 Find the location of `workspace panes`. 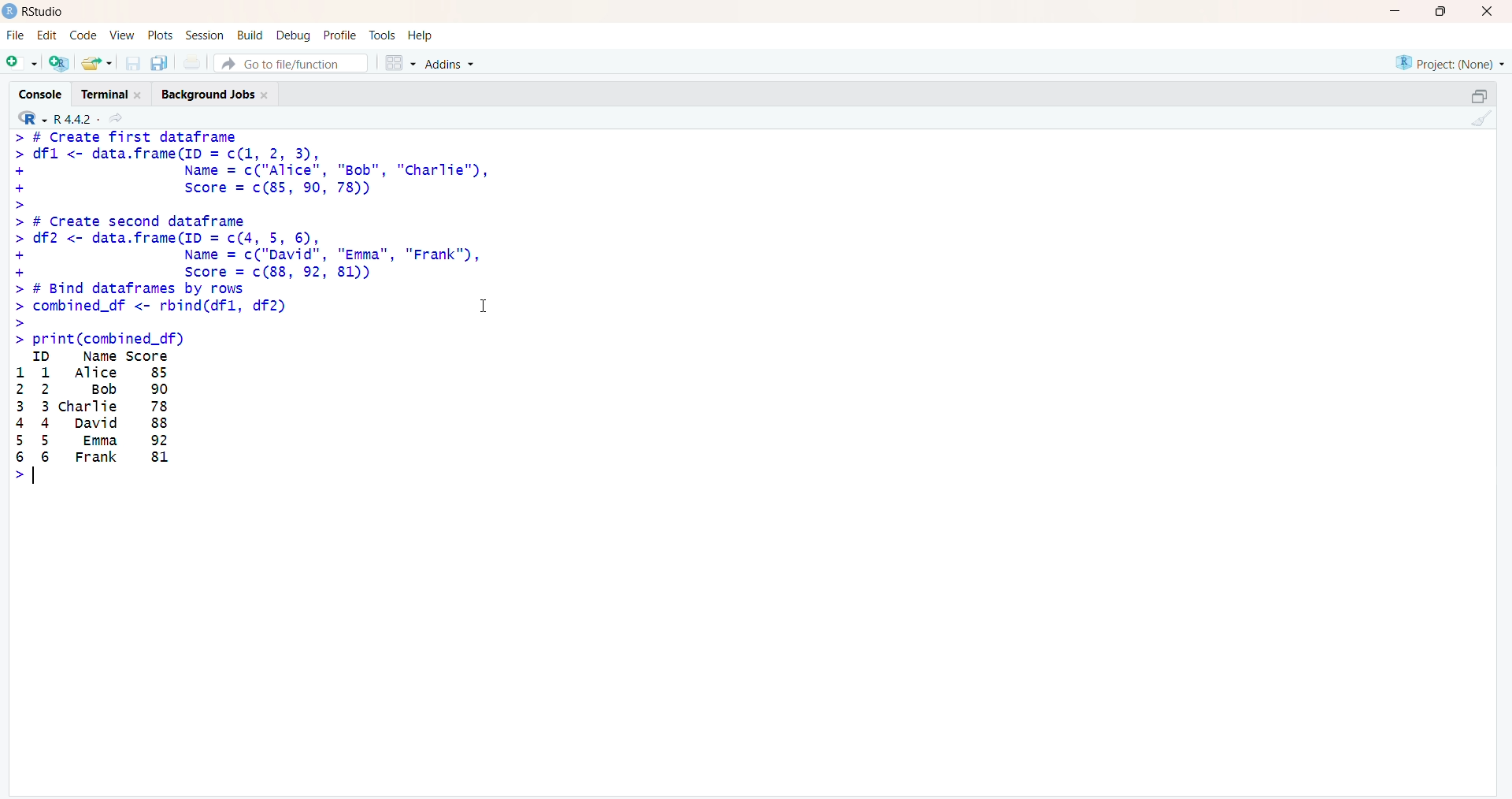

workspace panes is located at coordinates (399, 62).